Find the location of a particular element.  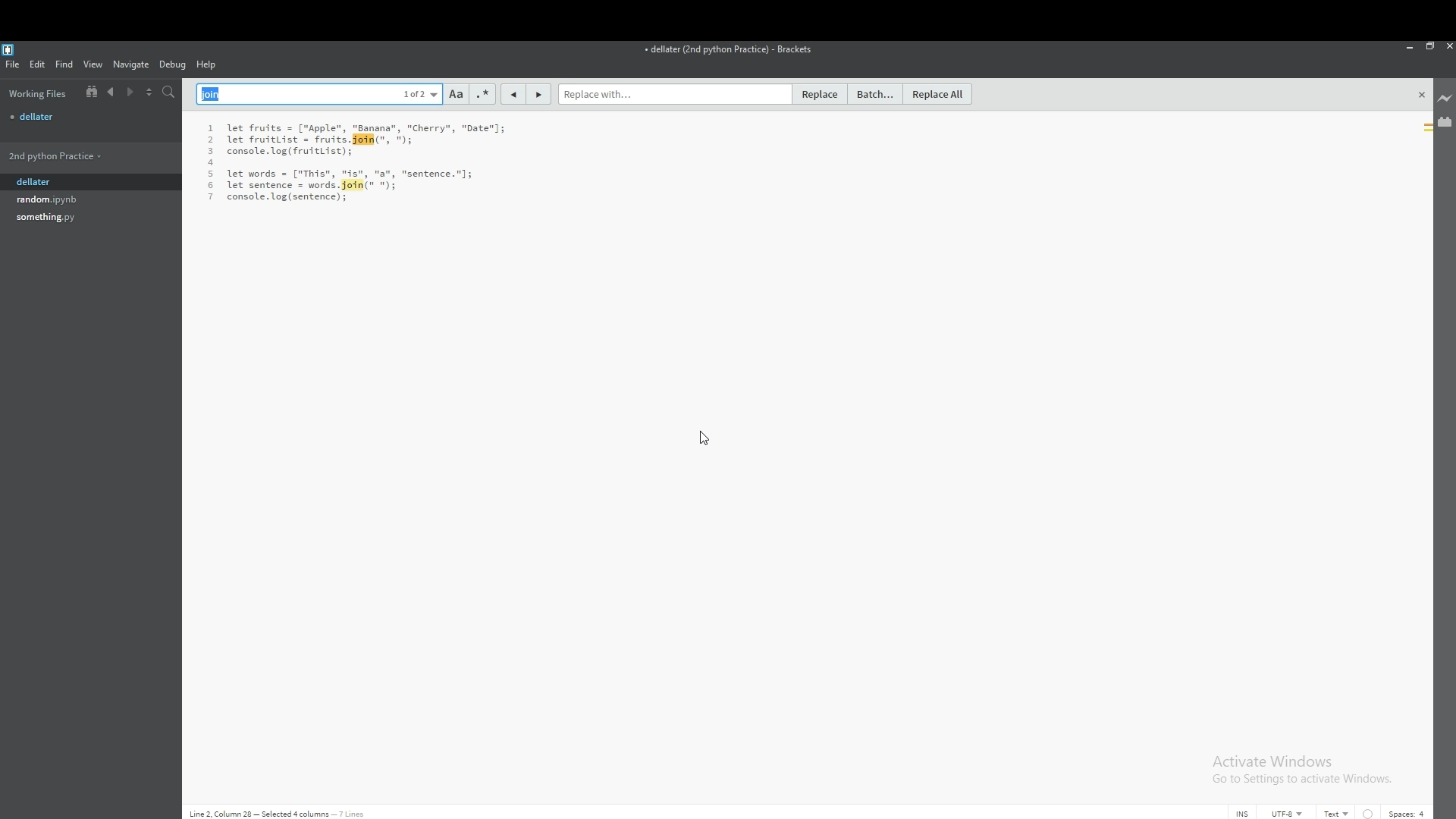

edit is located at coordinates (38, 64).